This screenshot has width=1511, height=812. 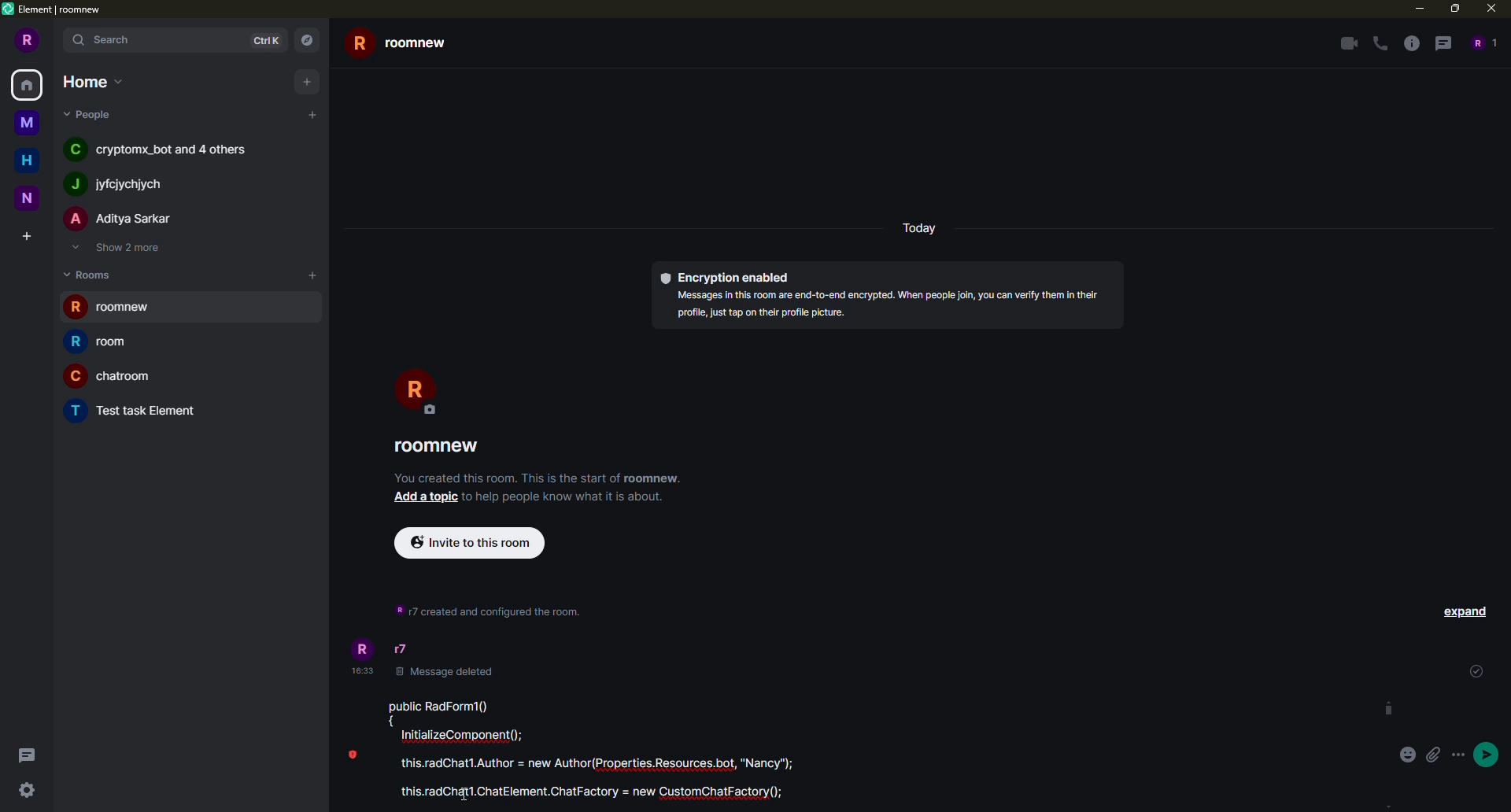 I want to click on add, so click(x=309, y=81).